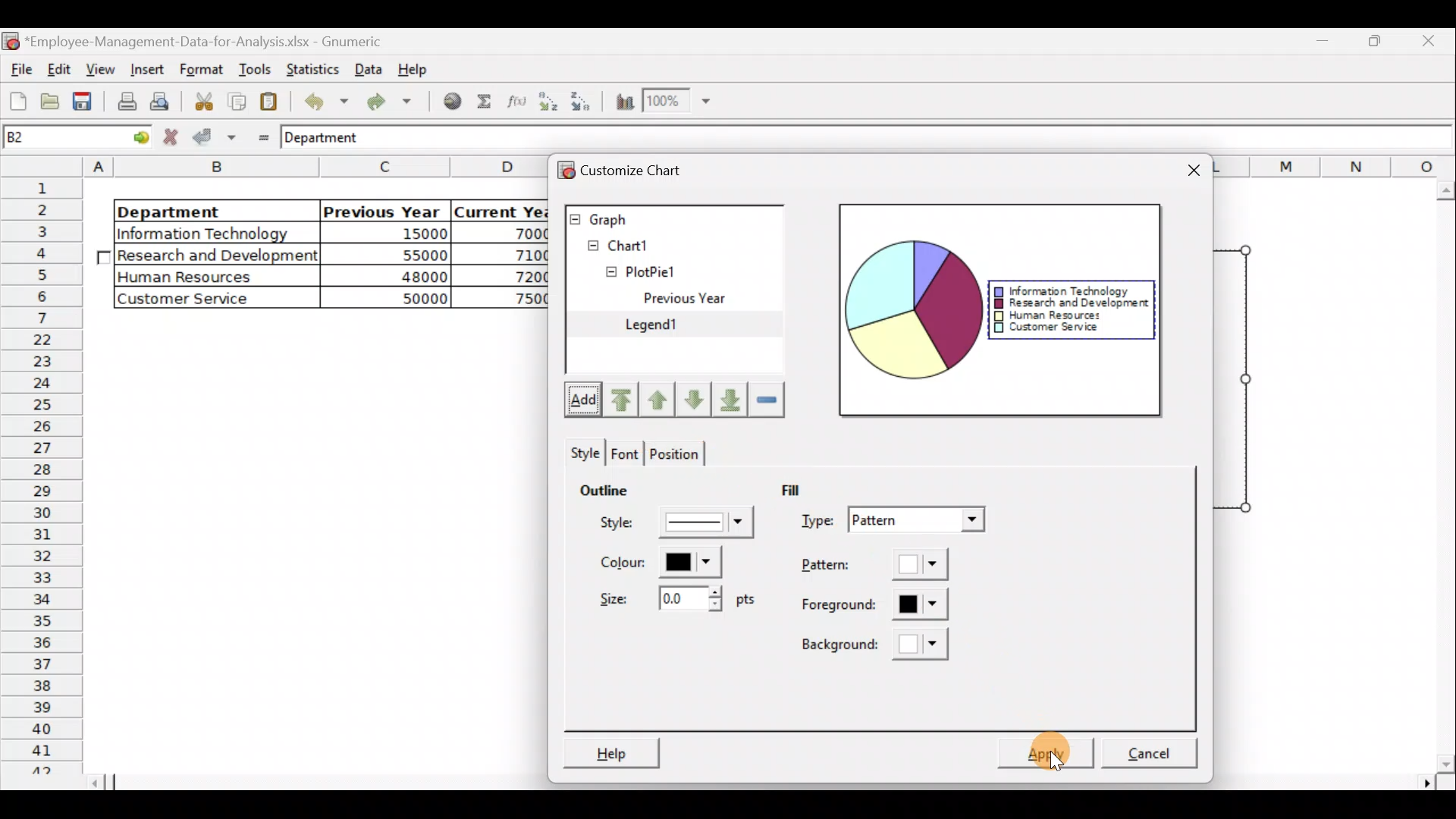 The width and height of the screenshot is (1456, 819). Describe the element at coordinates (196, 278) in the screenshot. I see `Human Resources` at that location.